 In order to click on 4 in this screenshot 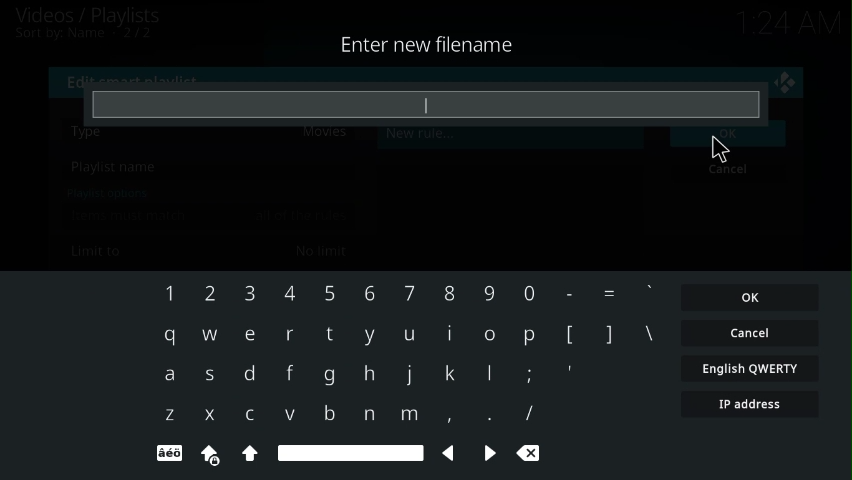, I will do `click(289, 292)`.